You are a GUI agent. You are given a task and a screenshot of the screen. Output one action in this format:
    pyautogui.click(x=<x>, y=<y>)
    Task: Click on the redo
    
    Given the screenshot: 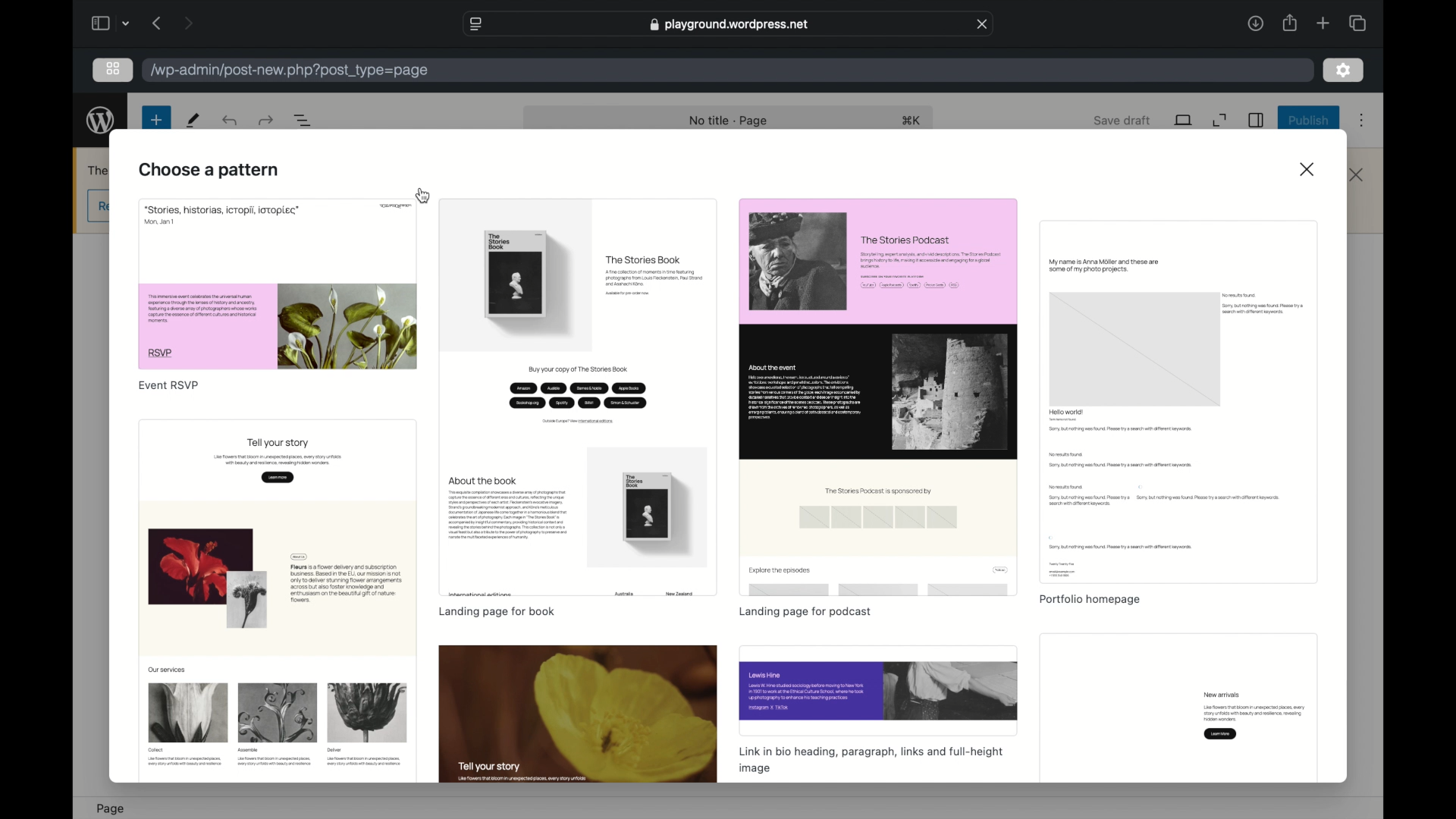 What is the action you would take?
    pyautogui.click(x=231, y=120)
    